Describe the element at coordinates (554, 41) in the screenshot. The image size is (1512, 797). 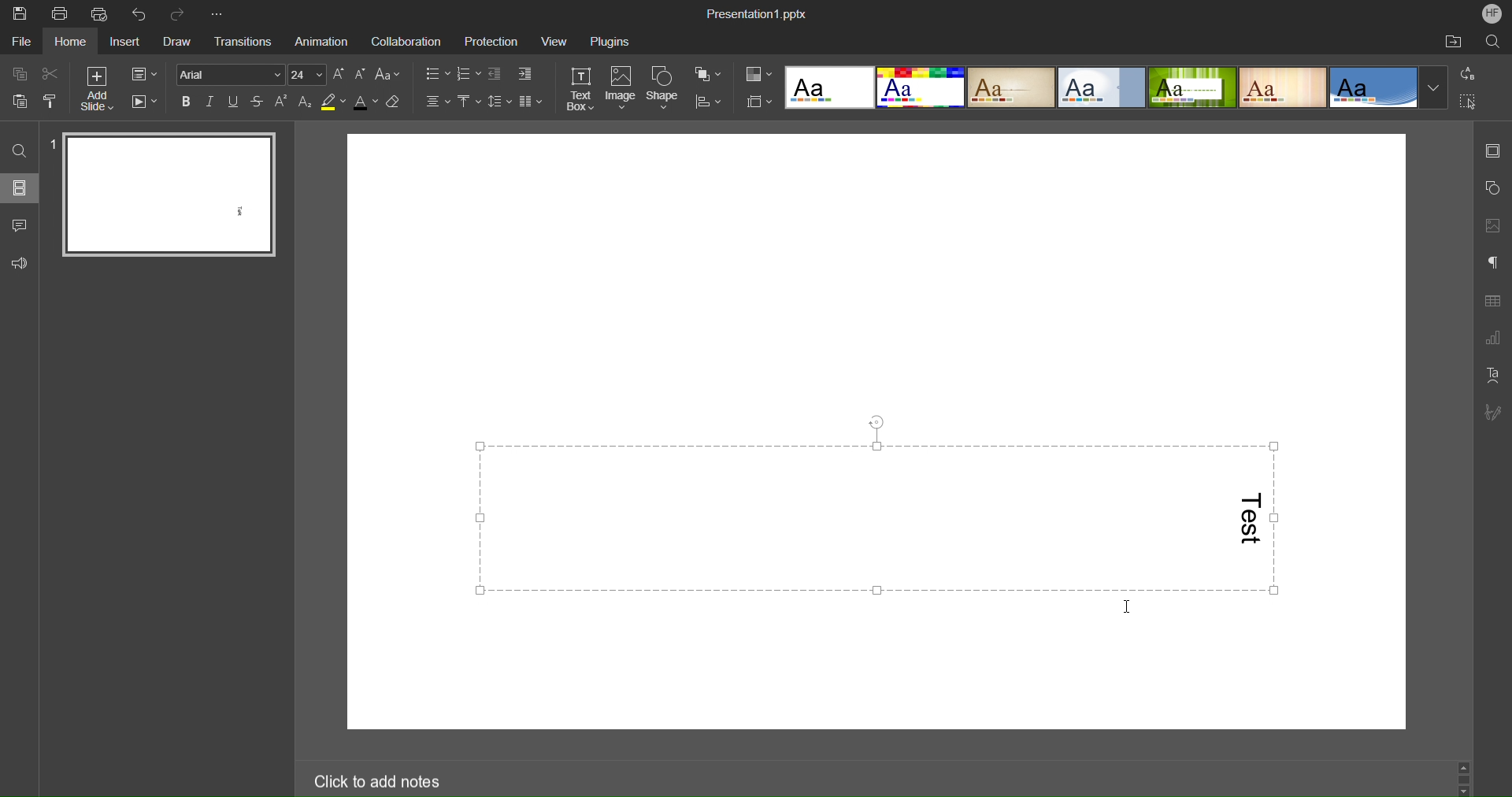
I see `View` at that location.